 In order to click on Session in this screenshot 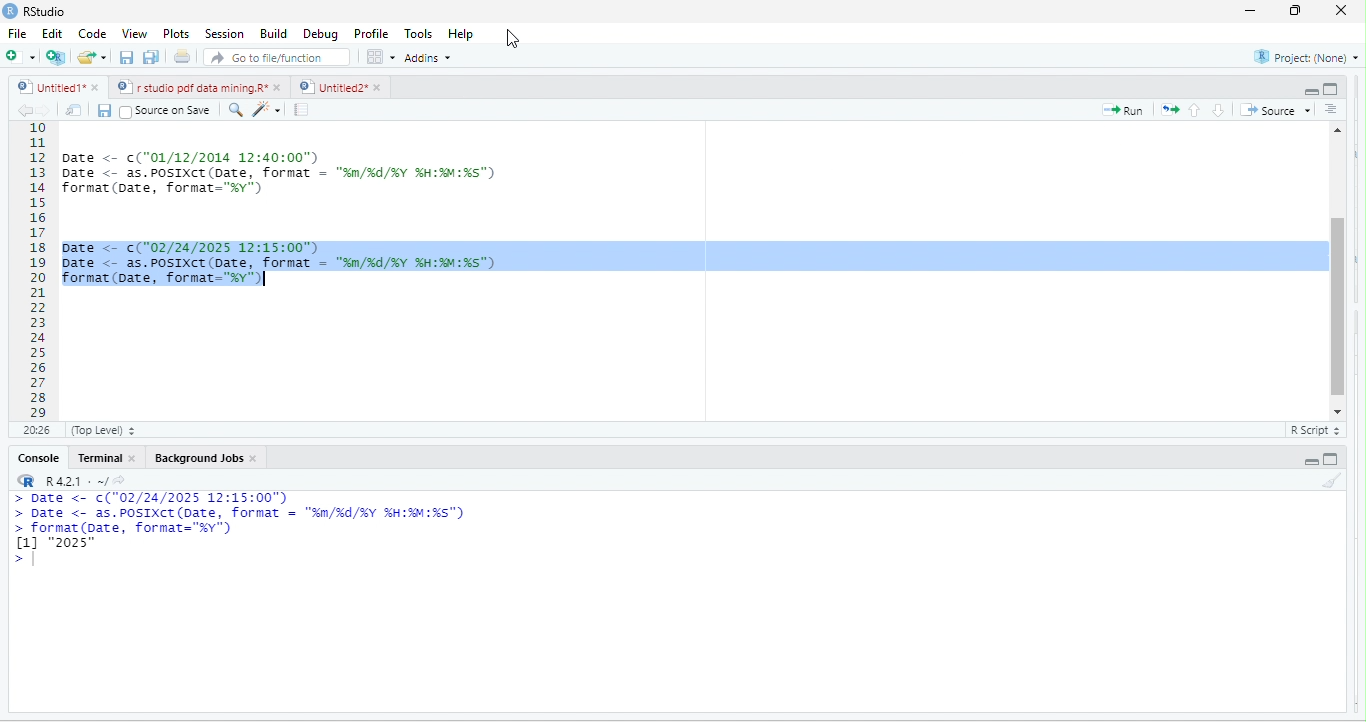, I will do `click(222, 34)`.